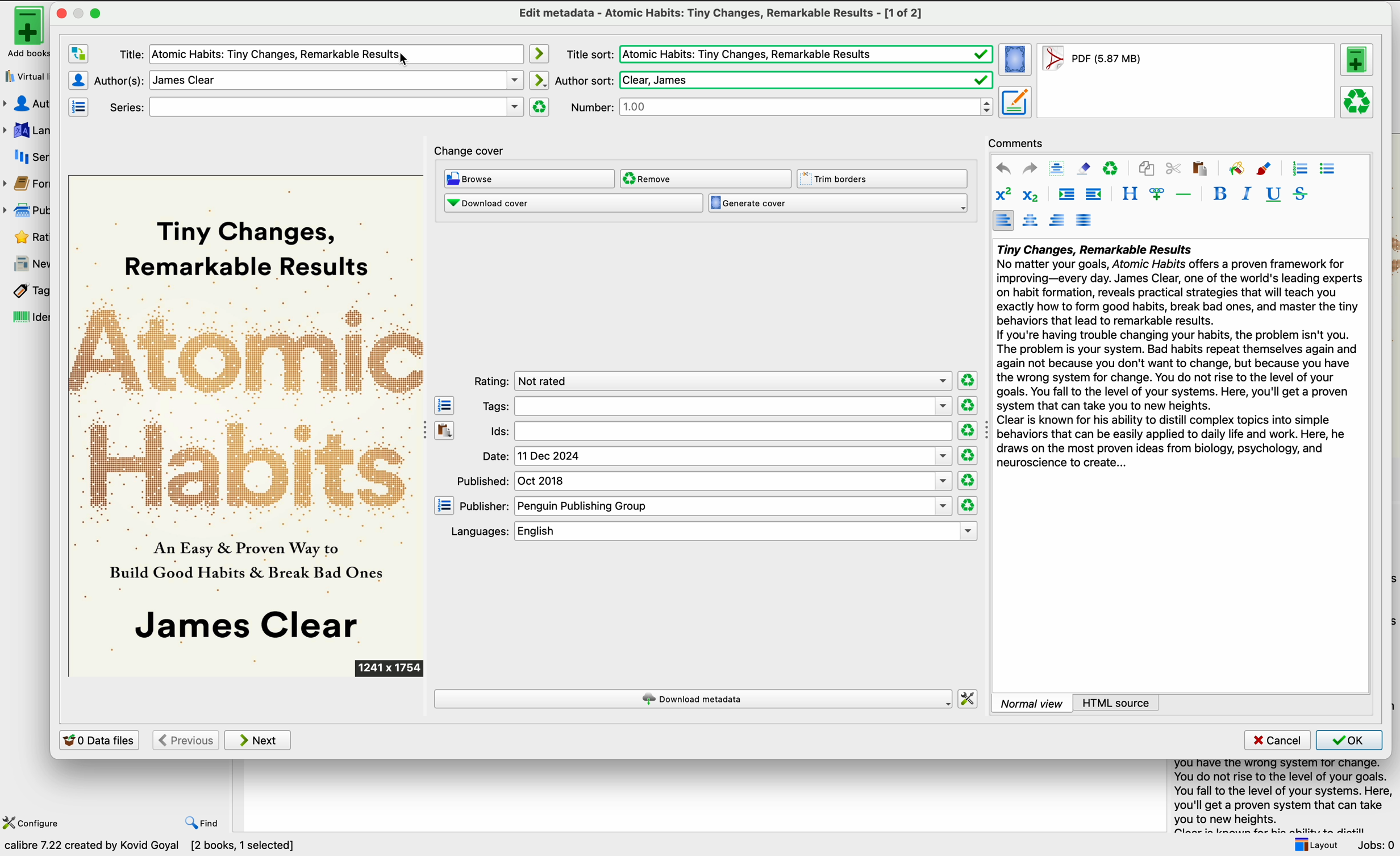 This screenshot has height=856, width=1400. I want to click on series, so click(27, 157).